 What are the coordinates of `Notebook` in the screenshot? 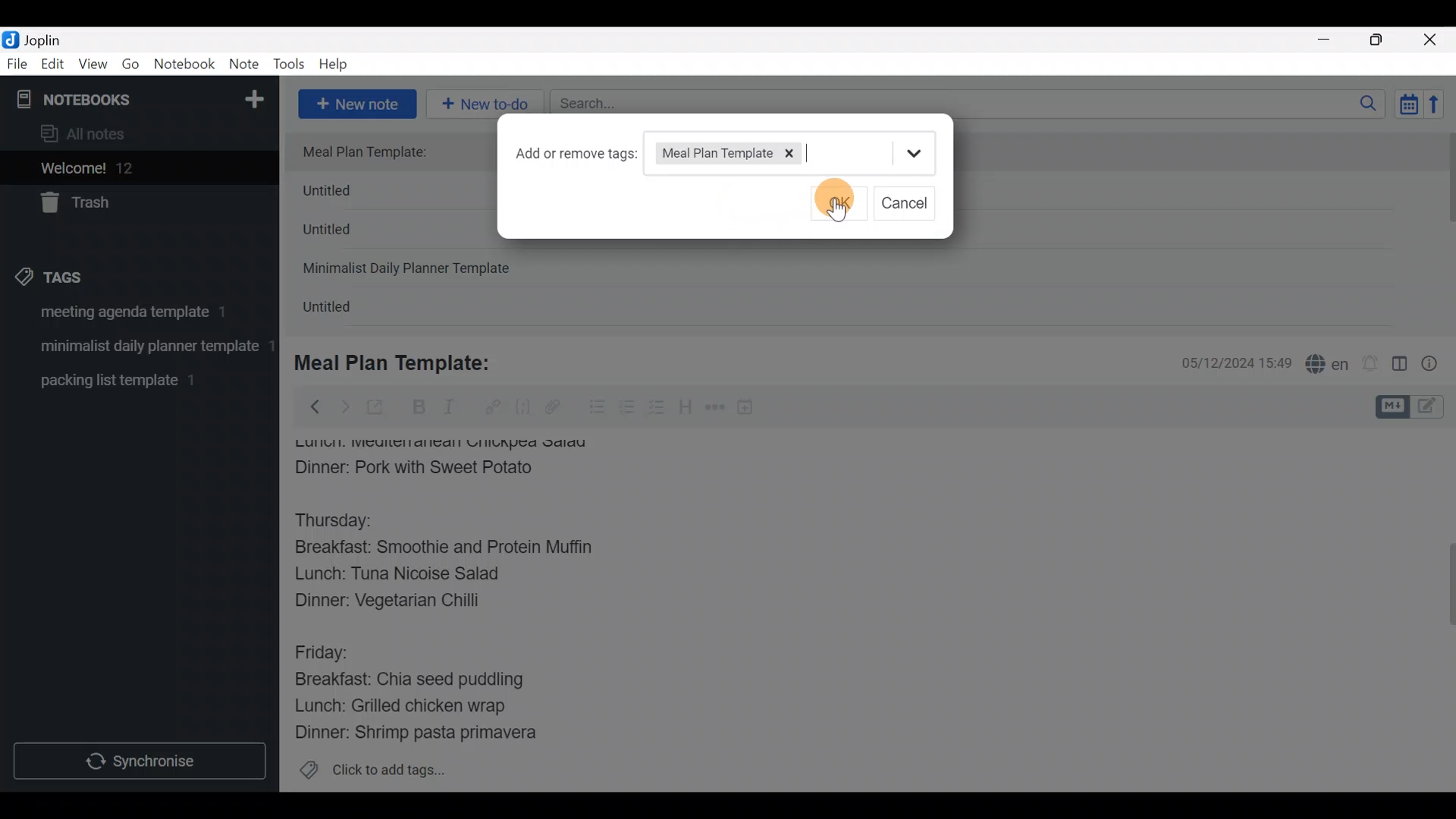 It's located at (185, 64).